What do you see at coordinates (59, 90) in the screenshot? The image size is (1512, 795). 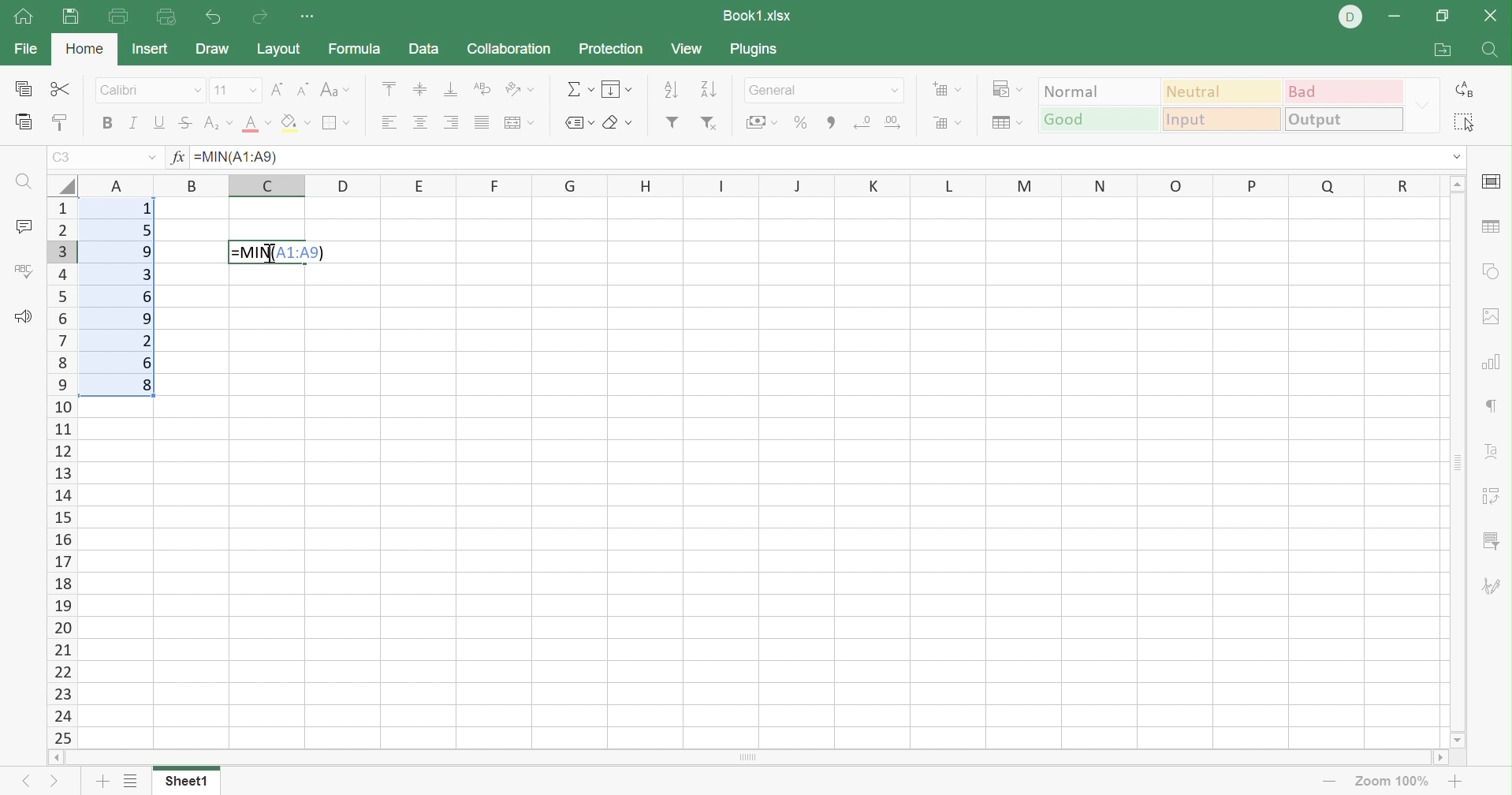 I see `Cut` at bounding box center [59, 90].